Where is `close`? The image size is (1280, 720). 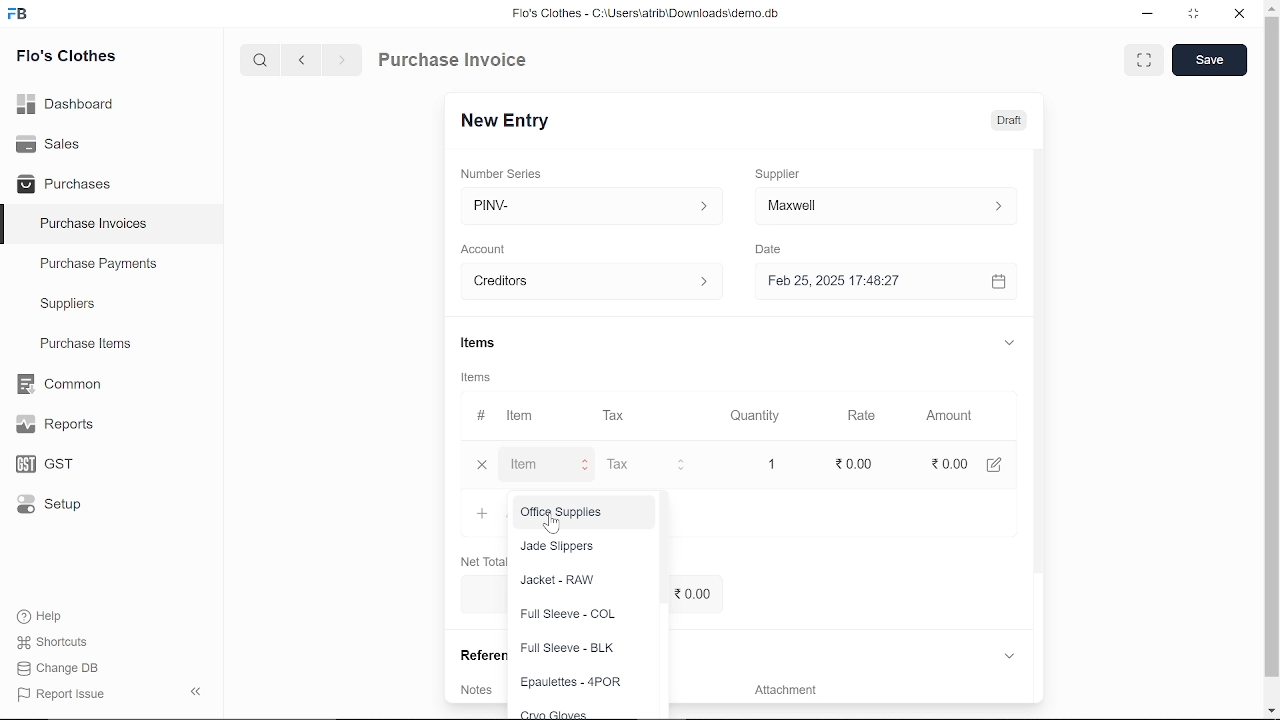 close is located at coordinates (486, 464).